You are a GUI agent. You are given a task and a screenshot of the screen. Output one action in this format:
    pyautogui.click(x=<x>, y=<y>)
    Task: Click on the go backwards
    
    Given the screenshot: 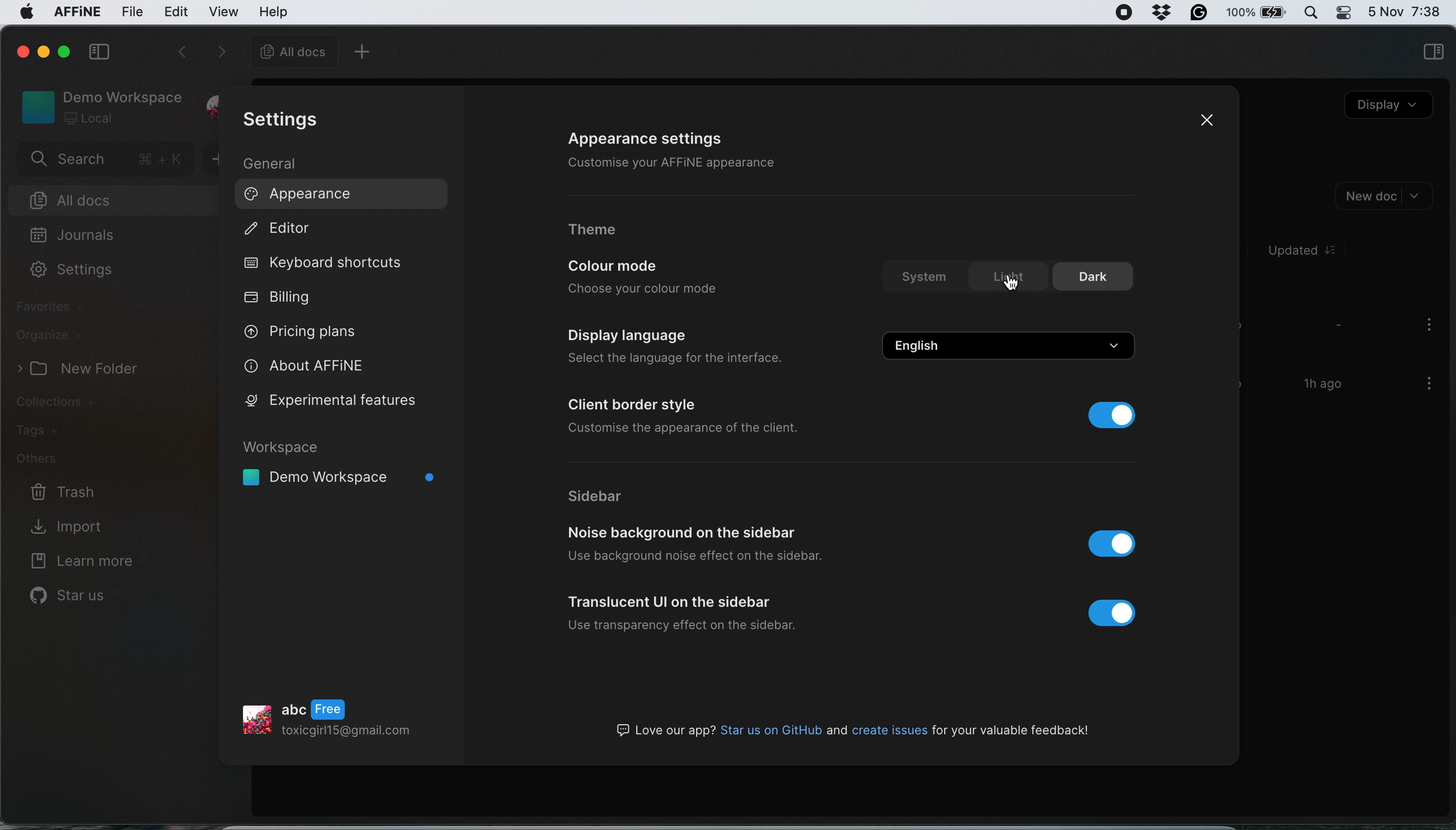 What is the action you would take?
    pyautogui.click(x=181, y=54)
    